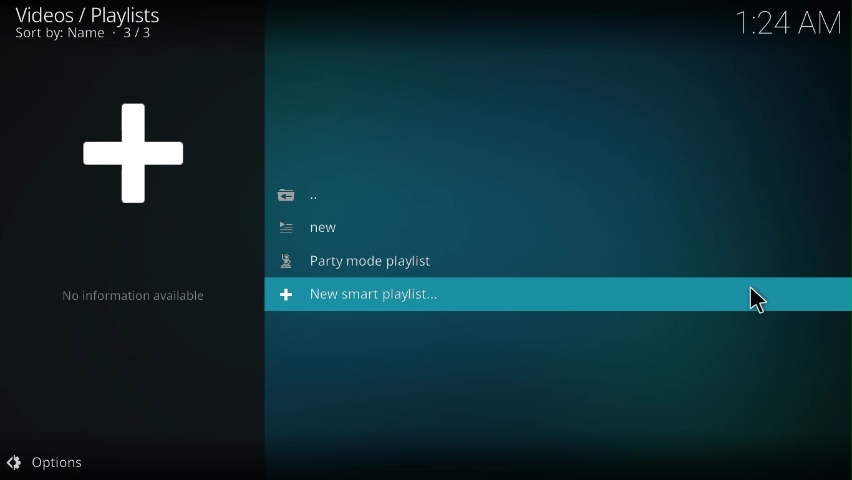 The image size is (852, 480). I want to click on new smart playlist, so click(363, 296).